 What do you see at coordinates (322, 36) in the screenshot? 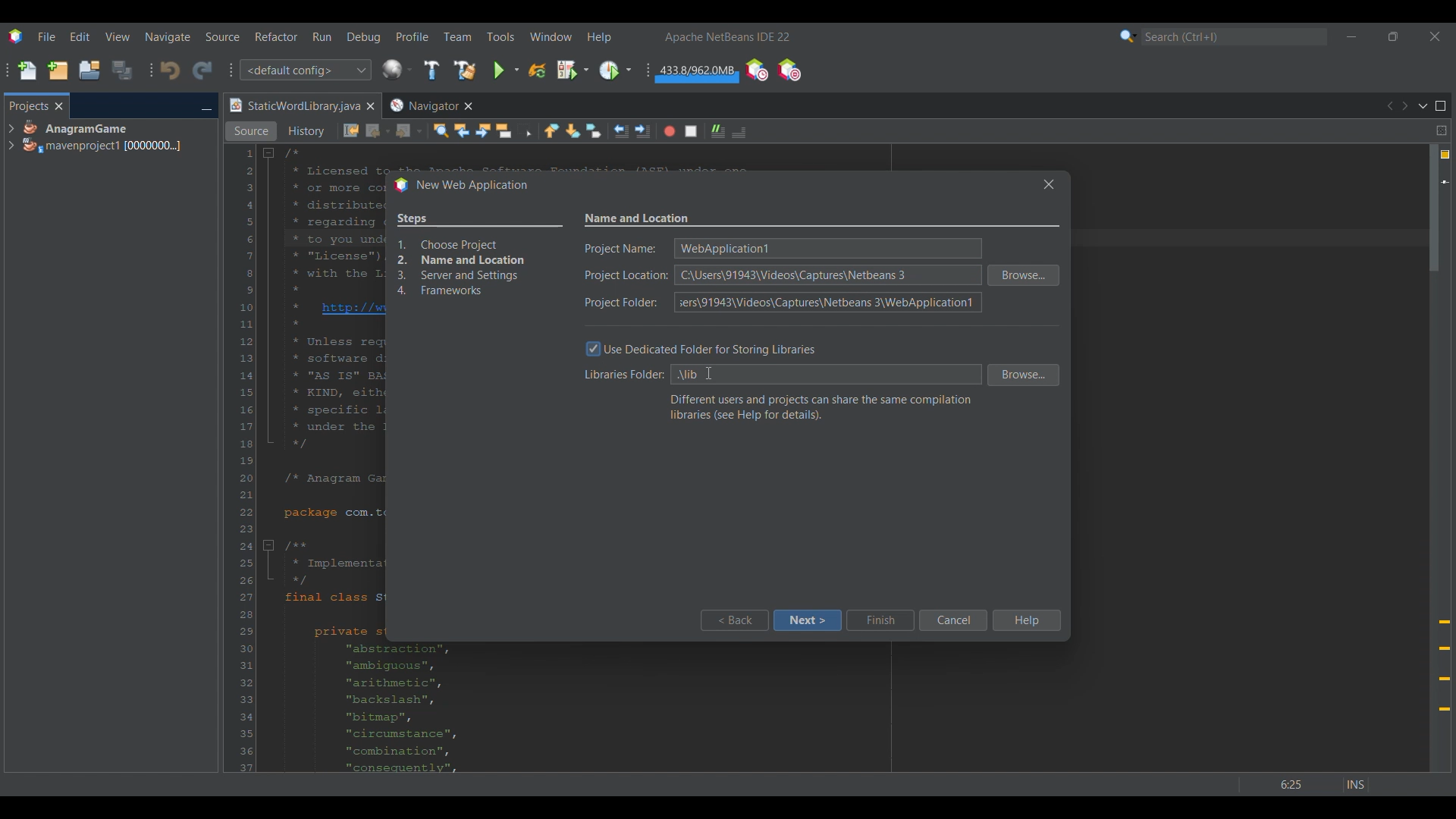
I see `Run menu` at bounding box center [322, 36].